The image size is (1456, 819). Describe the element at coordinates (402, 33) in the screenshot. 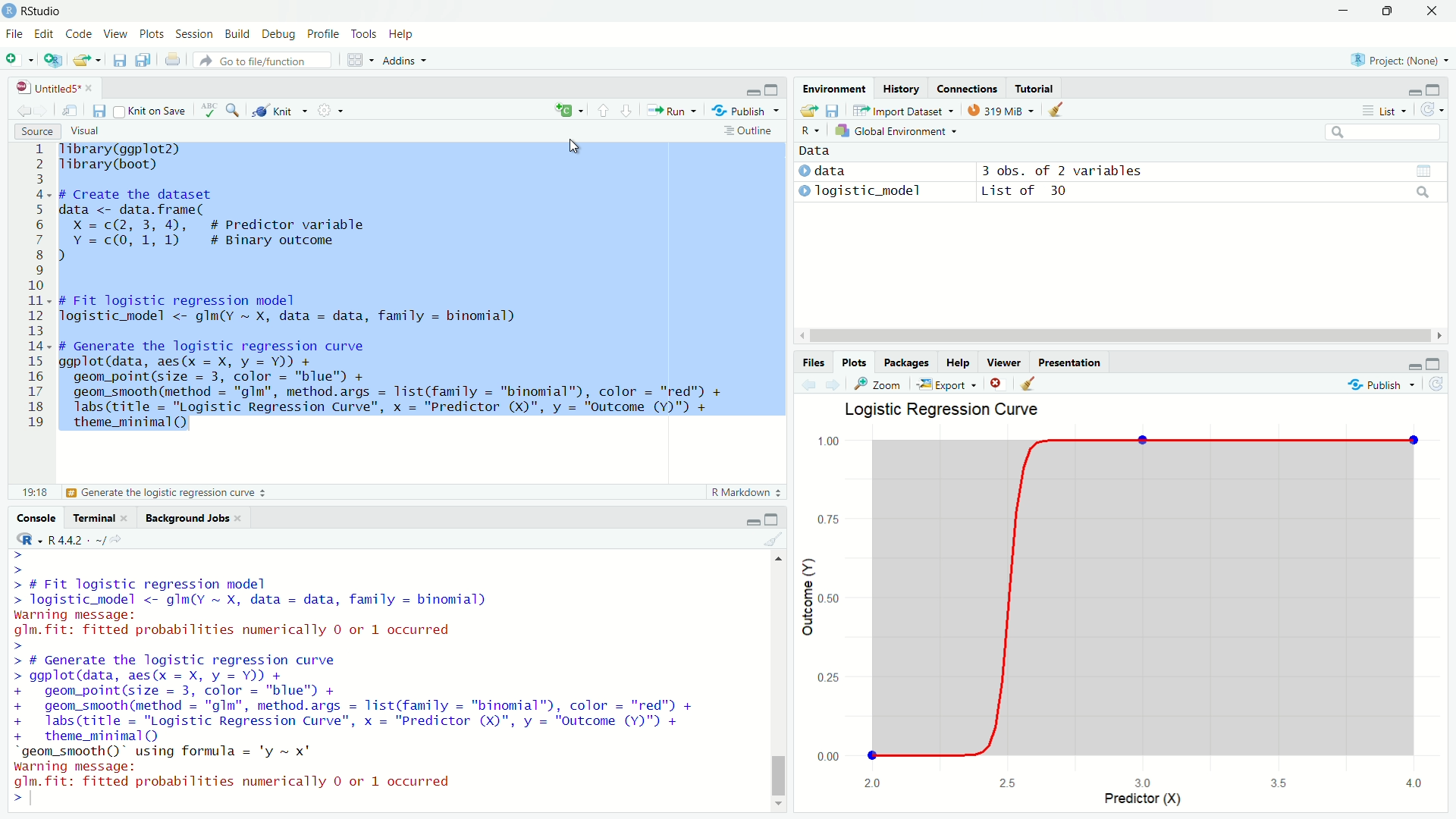

I see `Help` at that location.